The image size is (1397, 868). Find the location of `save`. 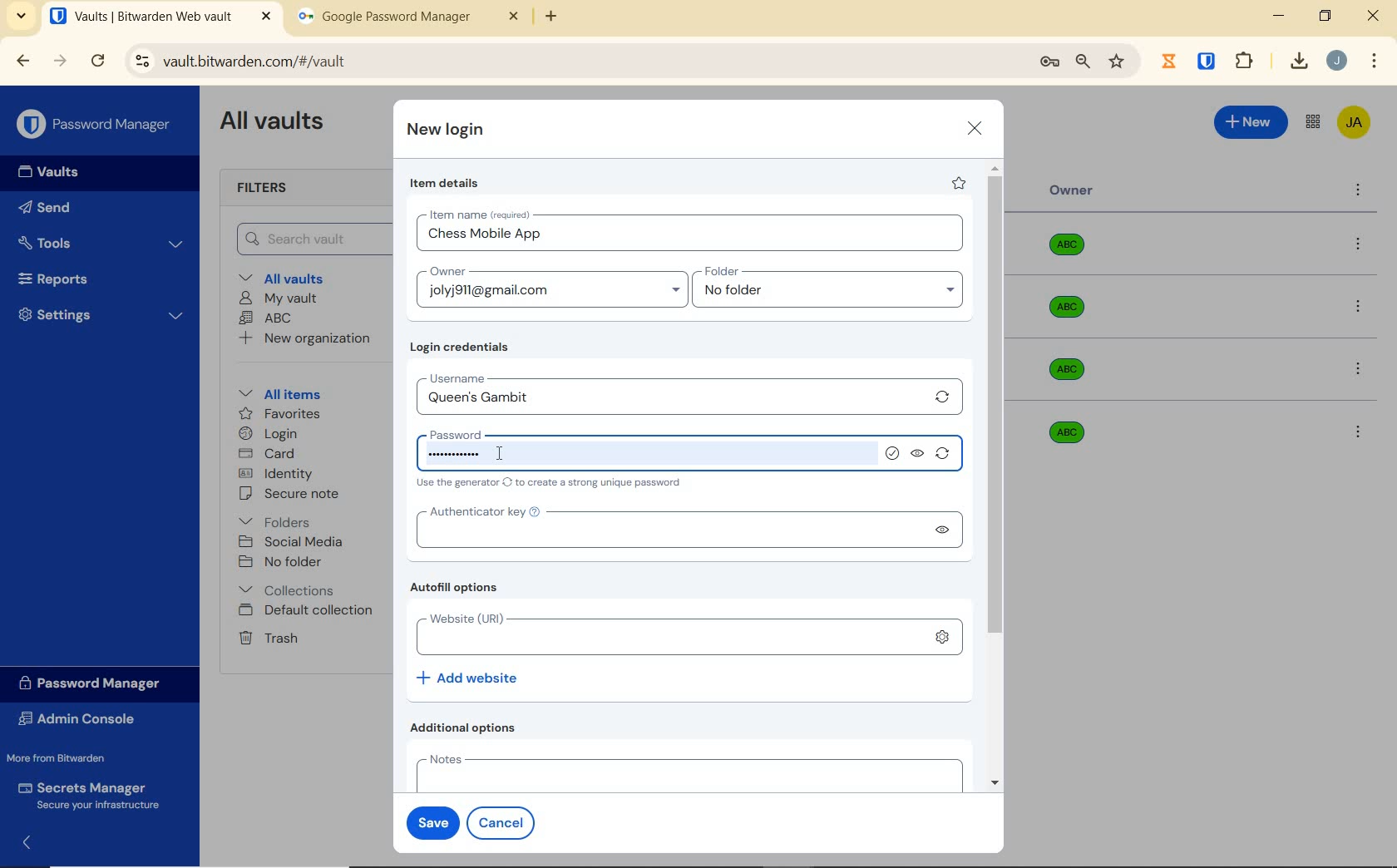

save is located at coordinates (429, 821).